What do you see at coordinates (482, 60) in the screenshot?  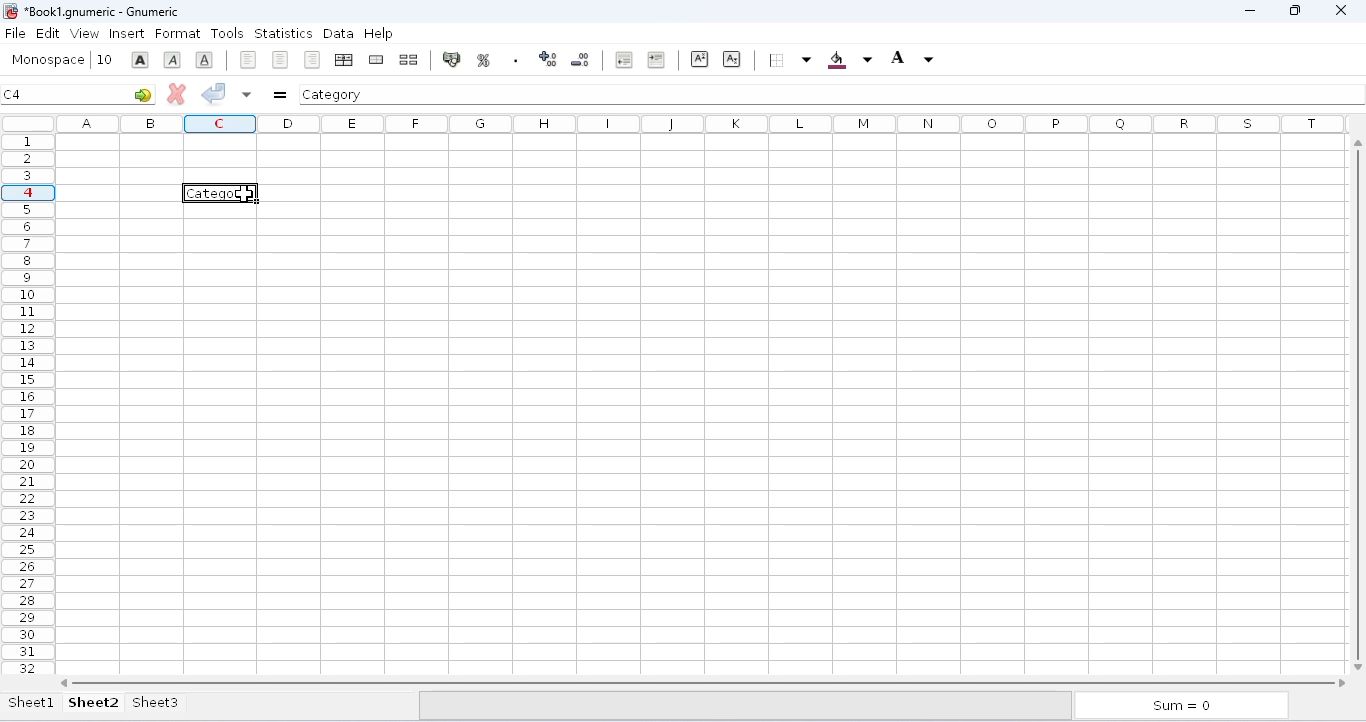 I see `format the selection as percentage` at bounding box center [482, 60].